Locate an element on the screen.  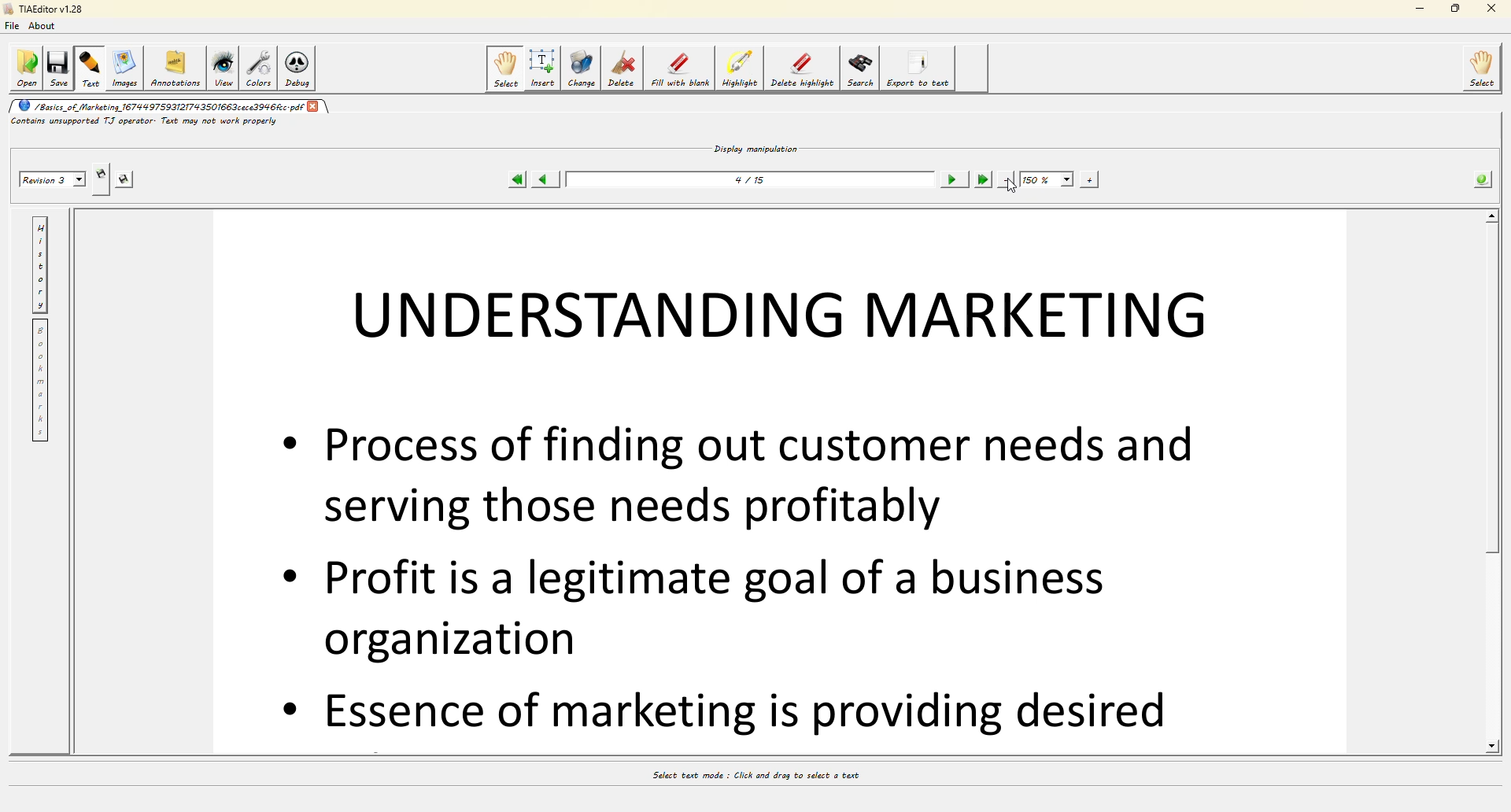
create revision is located at coordinates (100, 173).